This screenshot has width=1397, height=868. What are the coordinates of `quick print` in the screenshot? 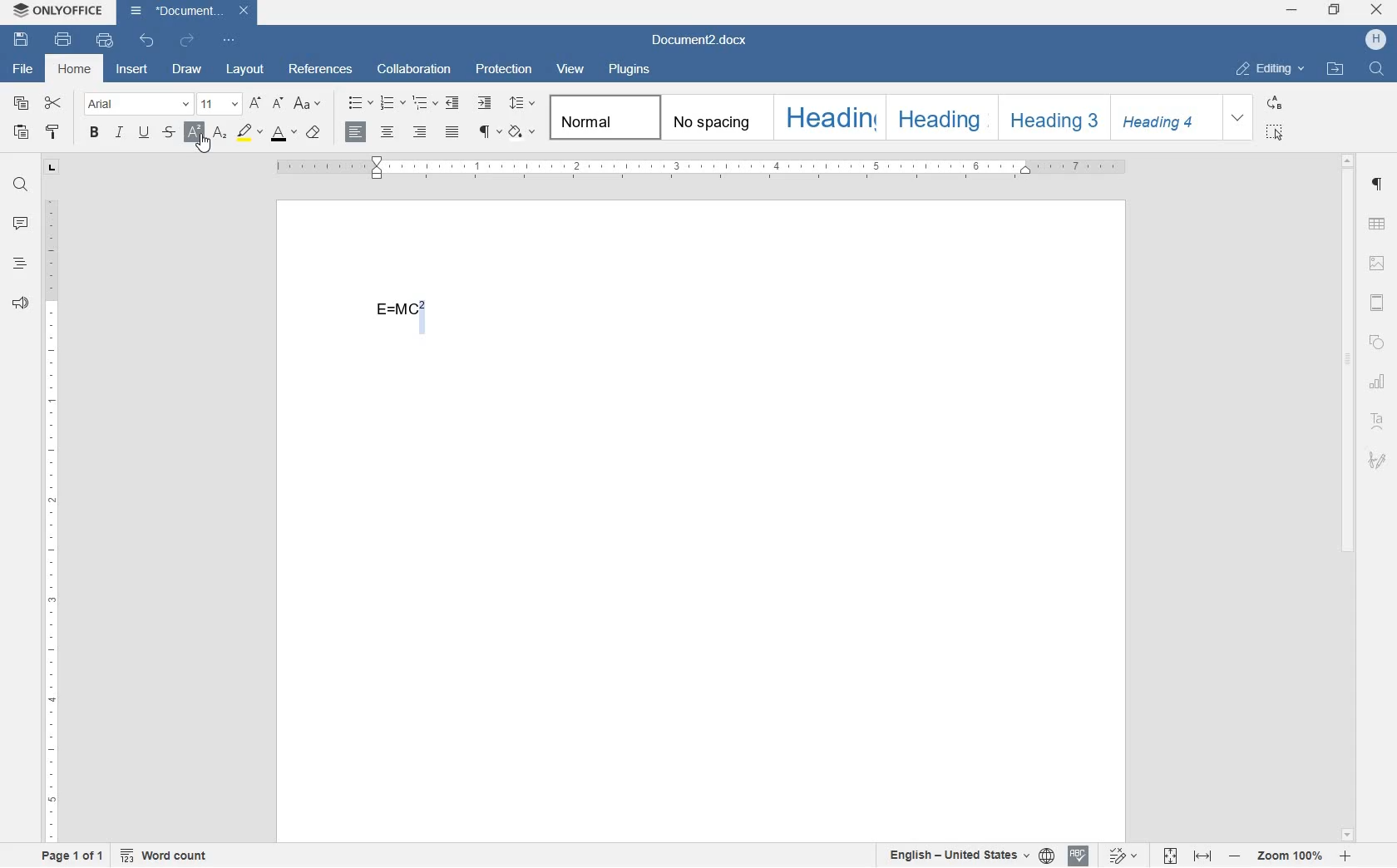 It's located at (104, 40).